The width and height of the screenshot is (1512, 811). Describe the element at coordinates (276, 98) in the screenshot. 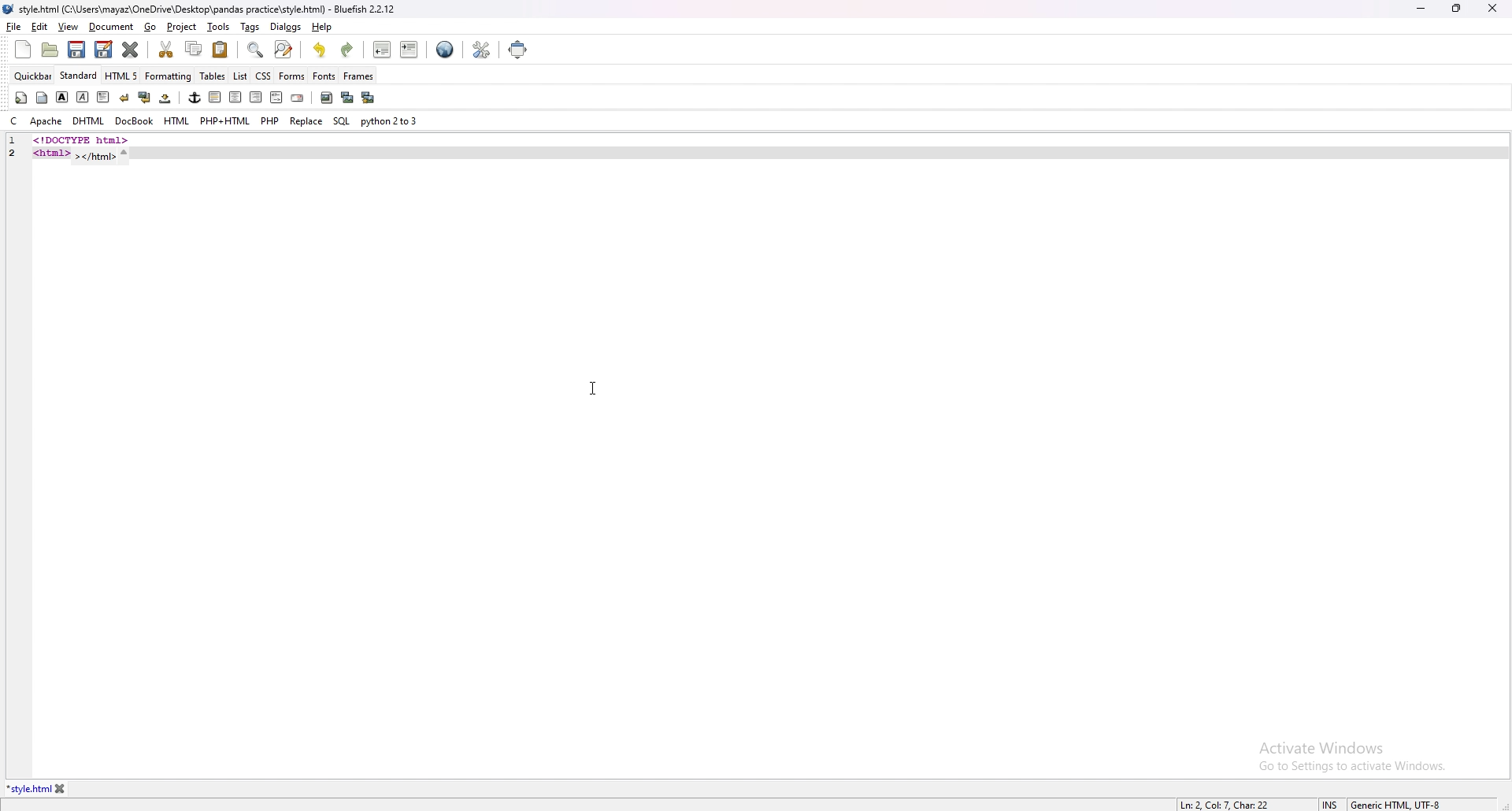

I see `html comment` at that location.